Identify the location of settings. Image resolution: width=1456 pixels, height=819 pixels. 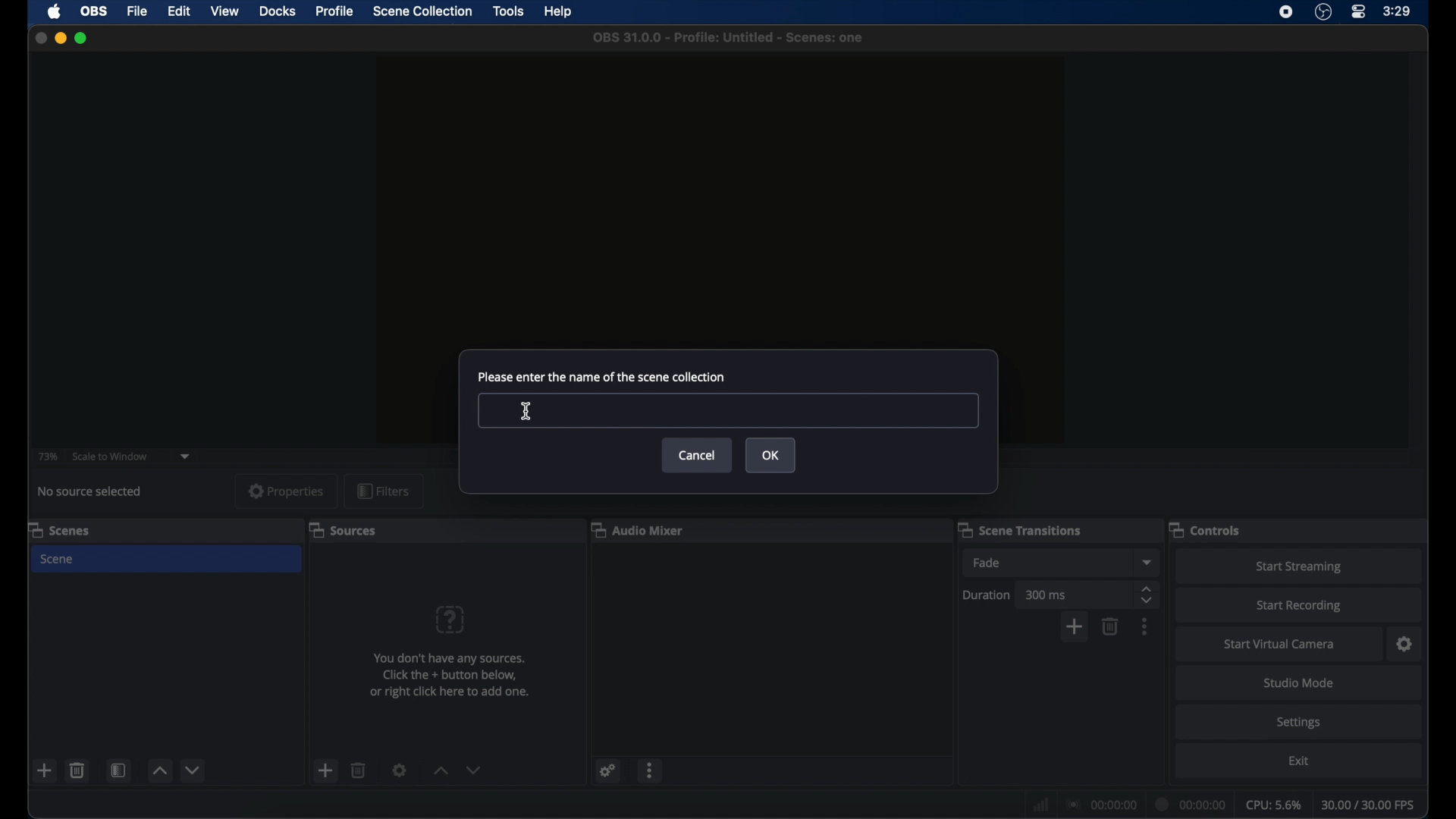
(1301, 722).